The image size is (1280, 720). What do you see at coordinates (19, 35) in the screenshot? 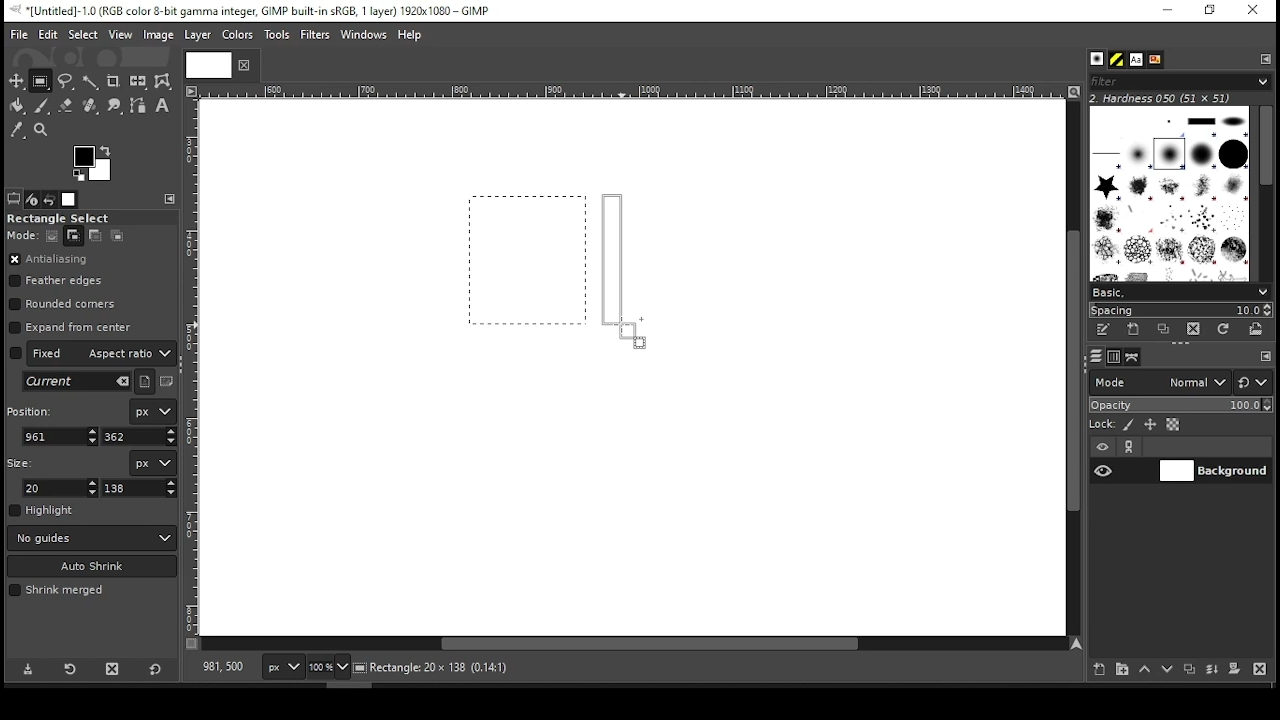
I see `file` at bounding box center [19, 35].